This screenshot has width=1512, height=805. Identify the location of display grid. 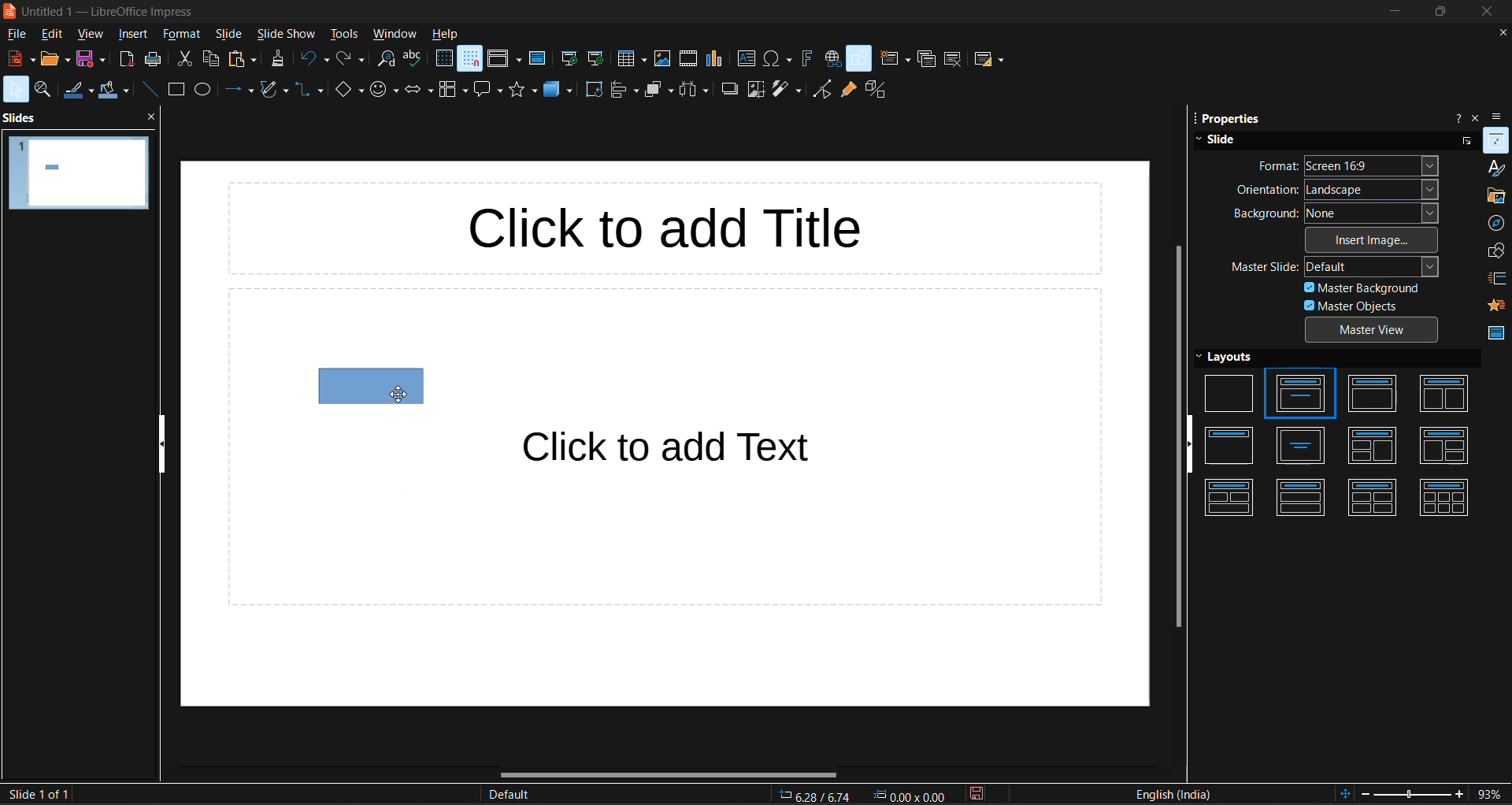
(441, 57).